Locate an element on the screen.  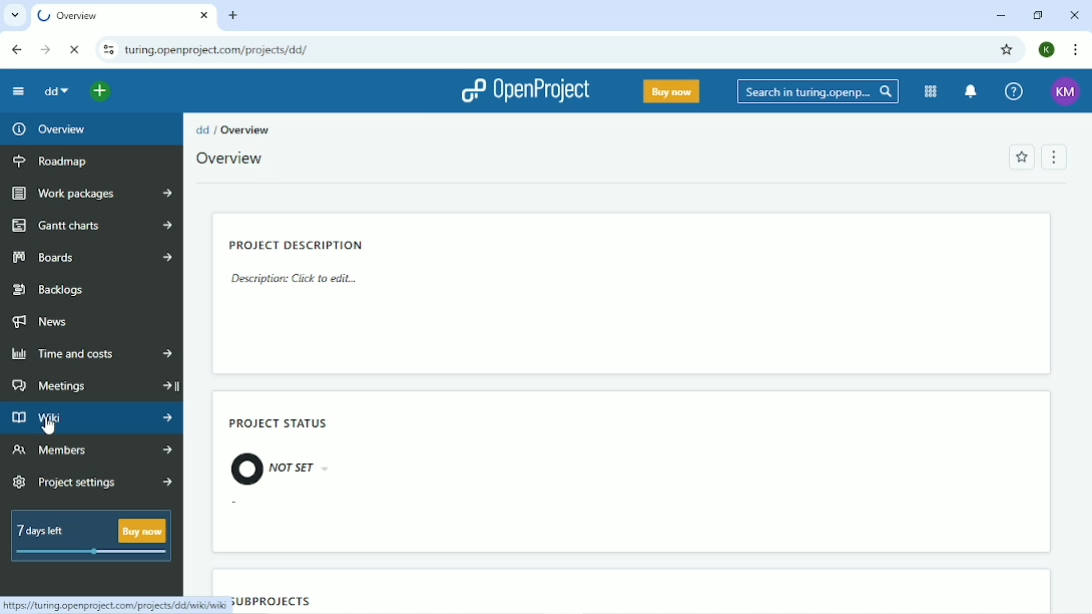
Boards is located at coordinates (70, 258).